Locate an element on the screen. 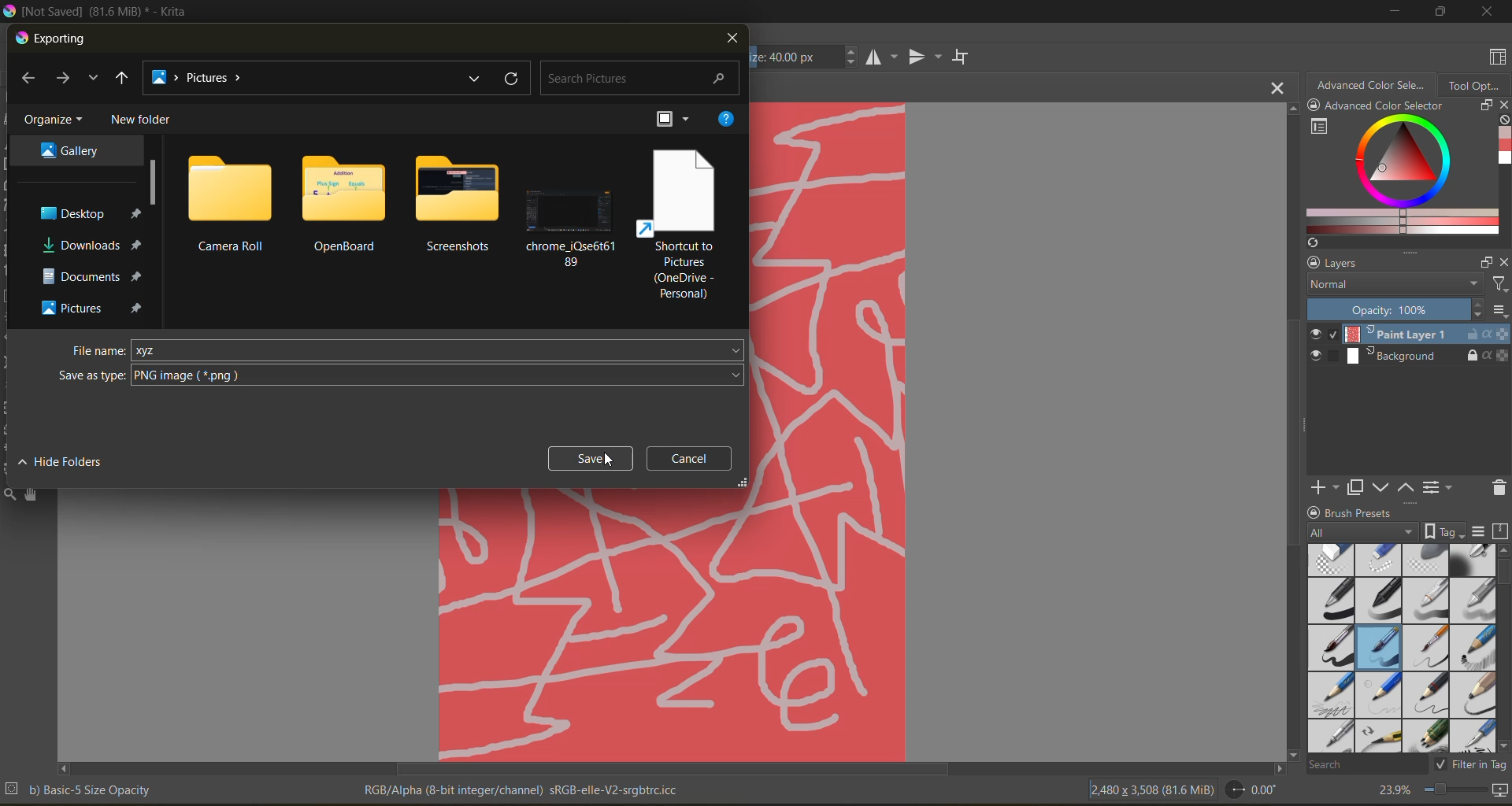 The image size is (1512, 806). layer is located at coordinates (1409, 335).